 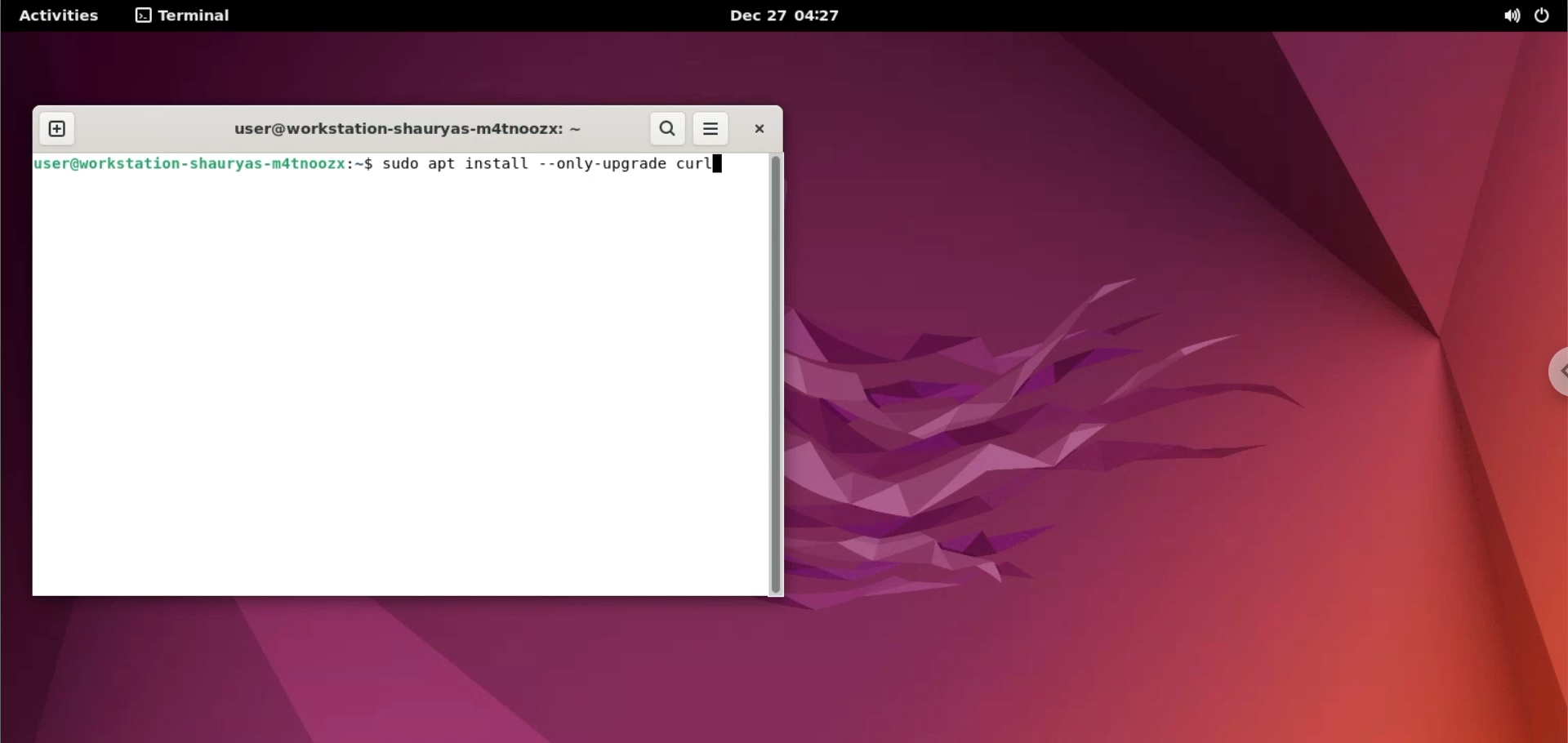 I want to click on user@workstation-shauryas-m4tnoozx:-$, so click(x=405, y=131).